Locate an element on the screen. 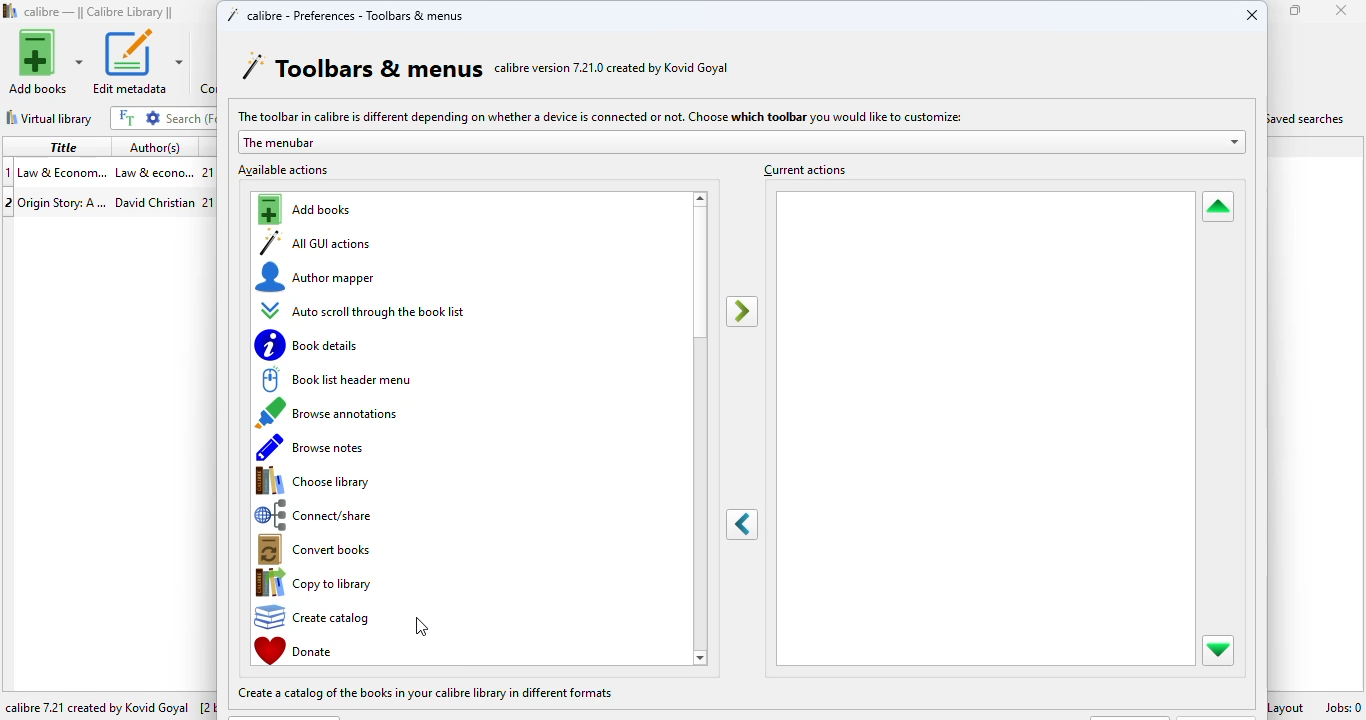  close is located at coordinates (1252, 14).